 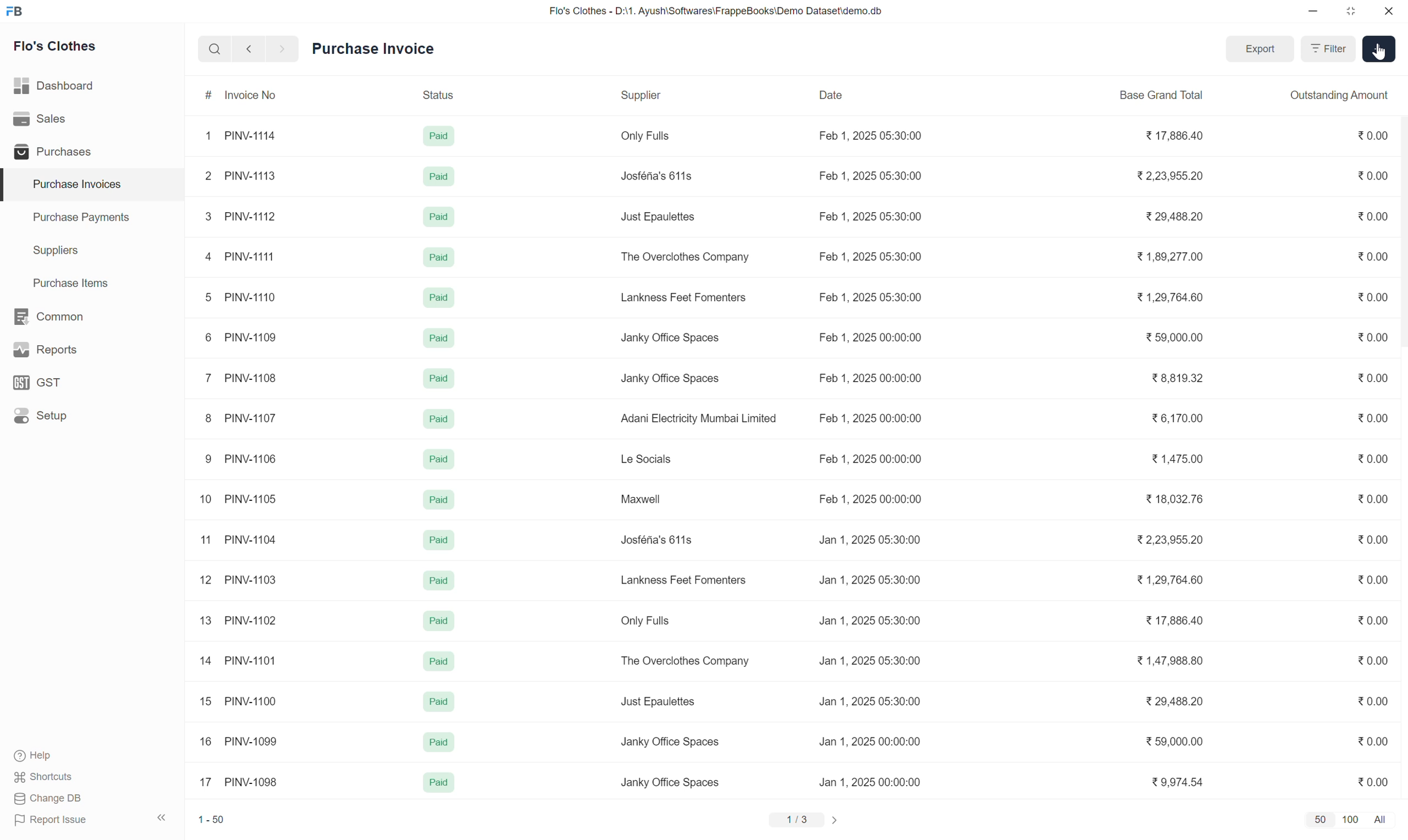 I want to click on Flo's Clothes - D:\1. Ayush\Softwares\FrappeBooks\Demo Dataset\demo.db, so click(x=717, y=11).